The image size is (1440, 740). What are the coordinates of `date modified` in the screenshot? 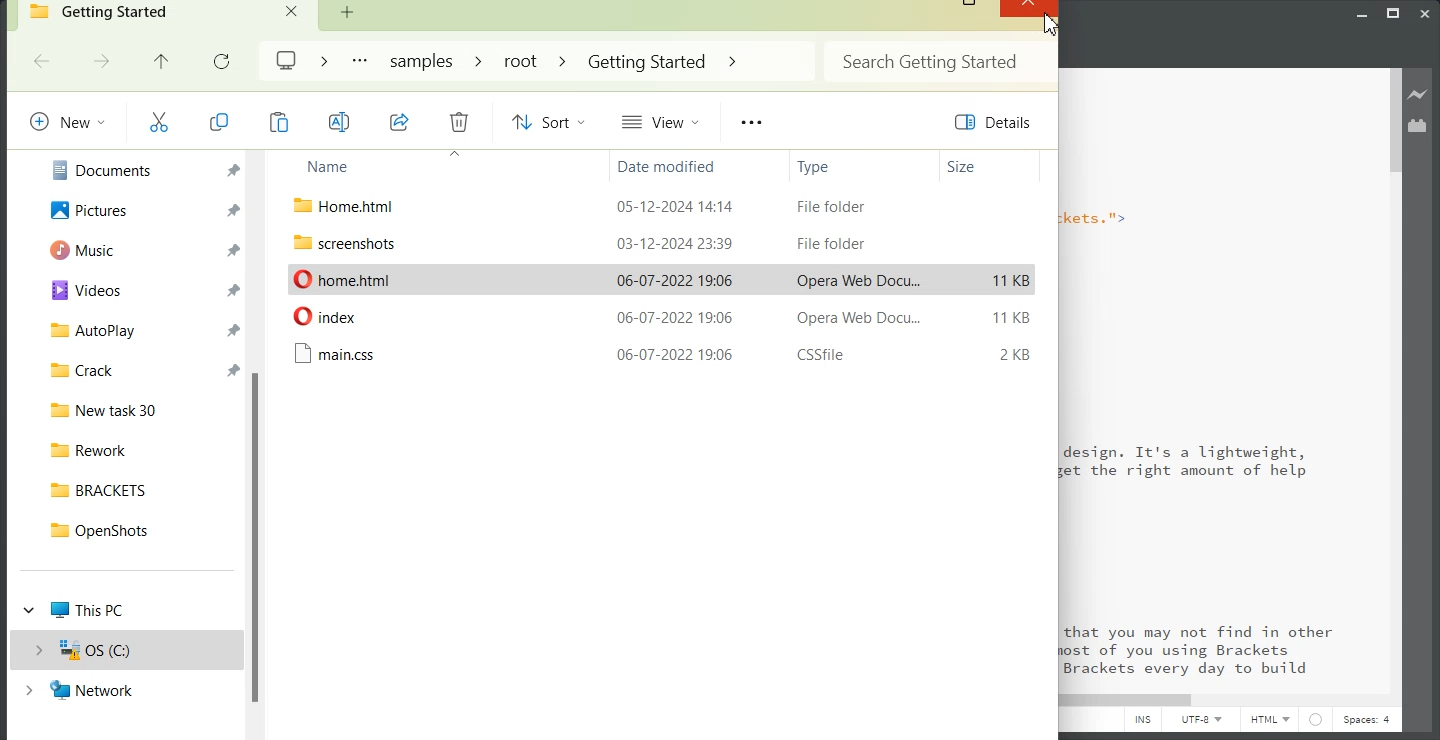 It's located at (666, 354).